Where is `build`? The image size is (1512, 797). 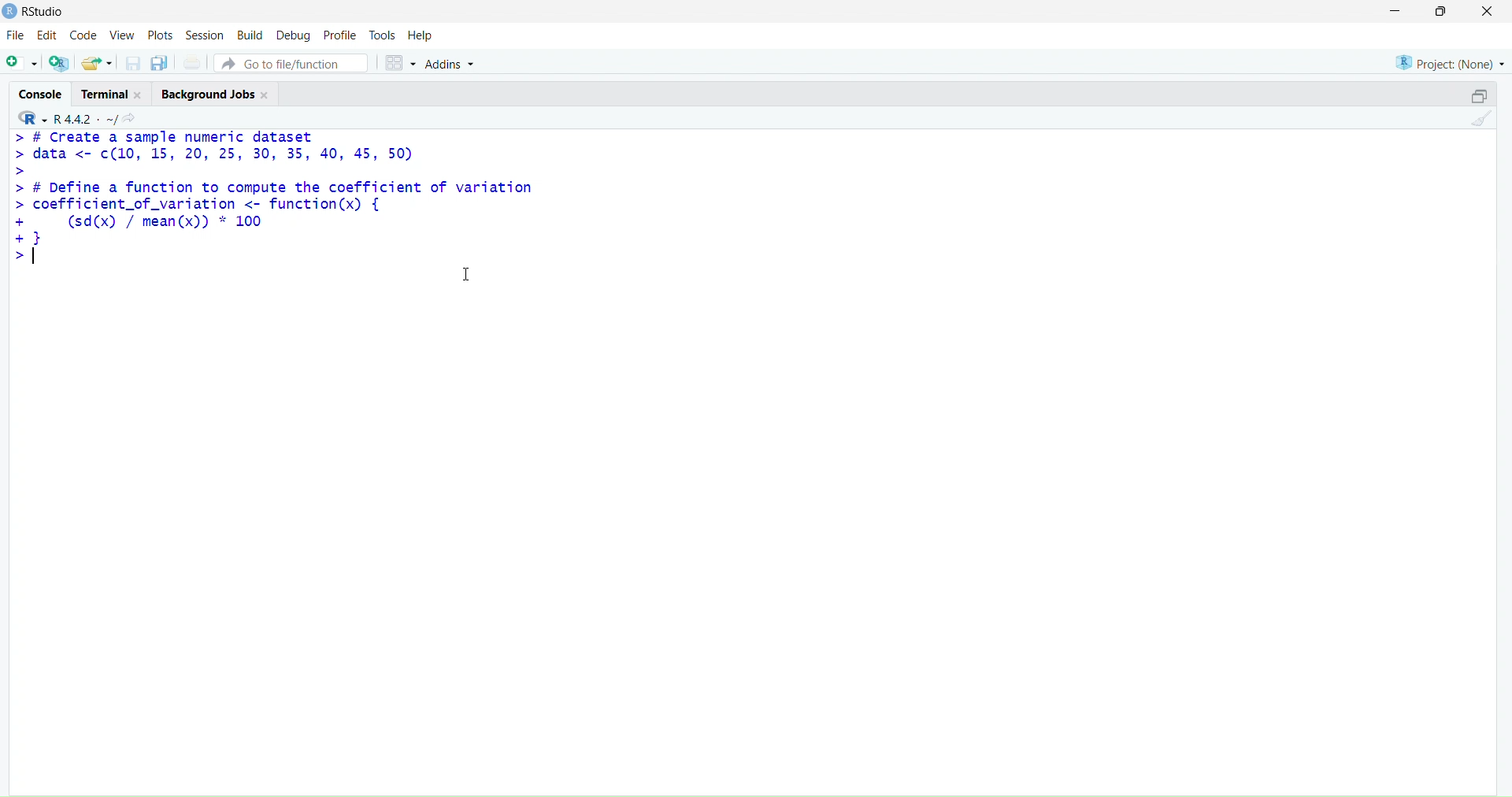 build is located at coordinates (250, 35).